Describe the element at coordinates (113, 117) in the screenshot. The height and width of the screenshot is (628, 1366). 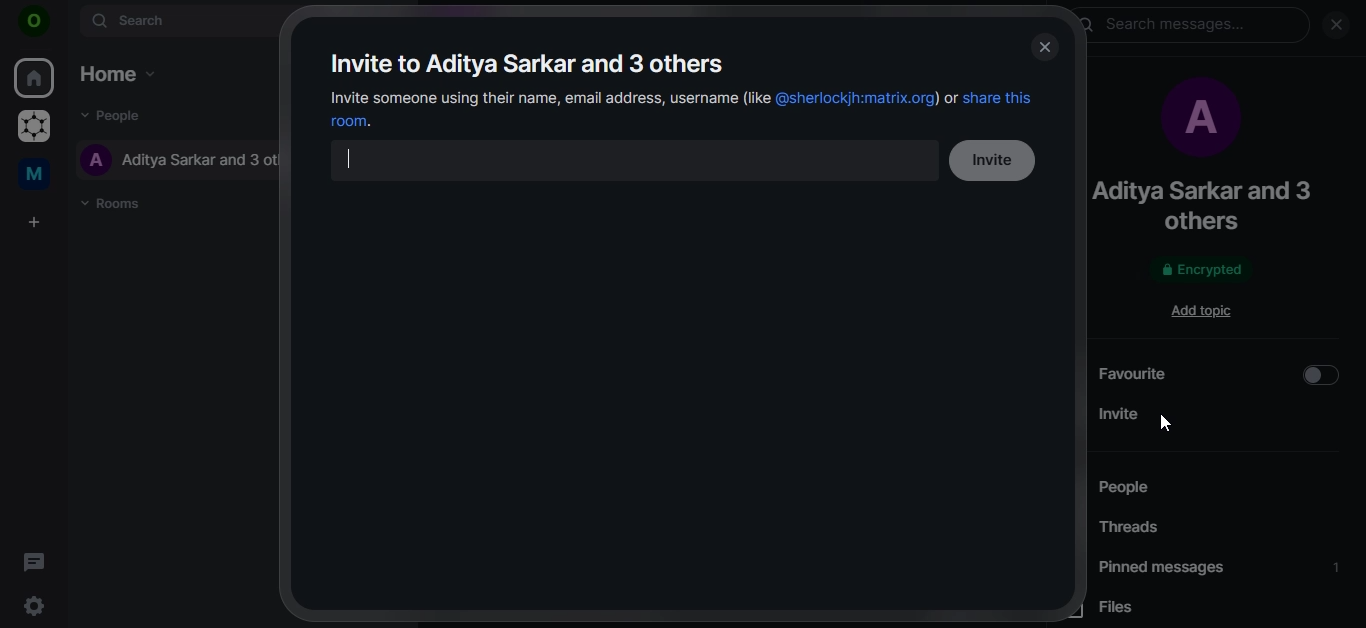
I see `people` at that location.